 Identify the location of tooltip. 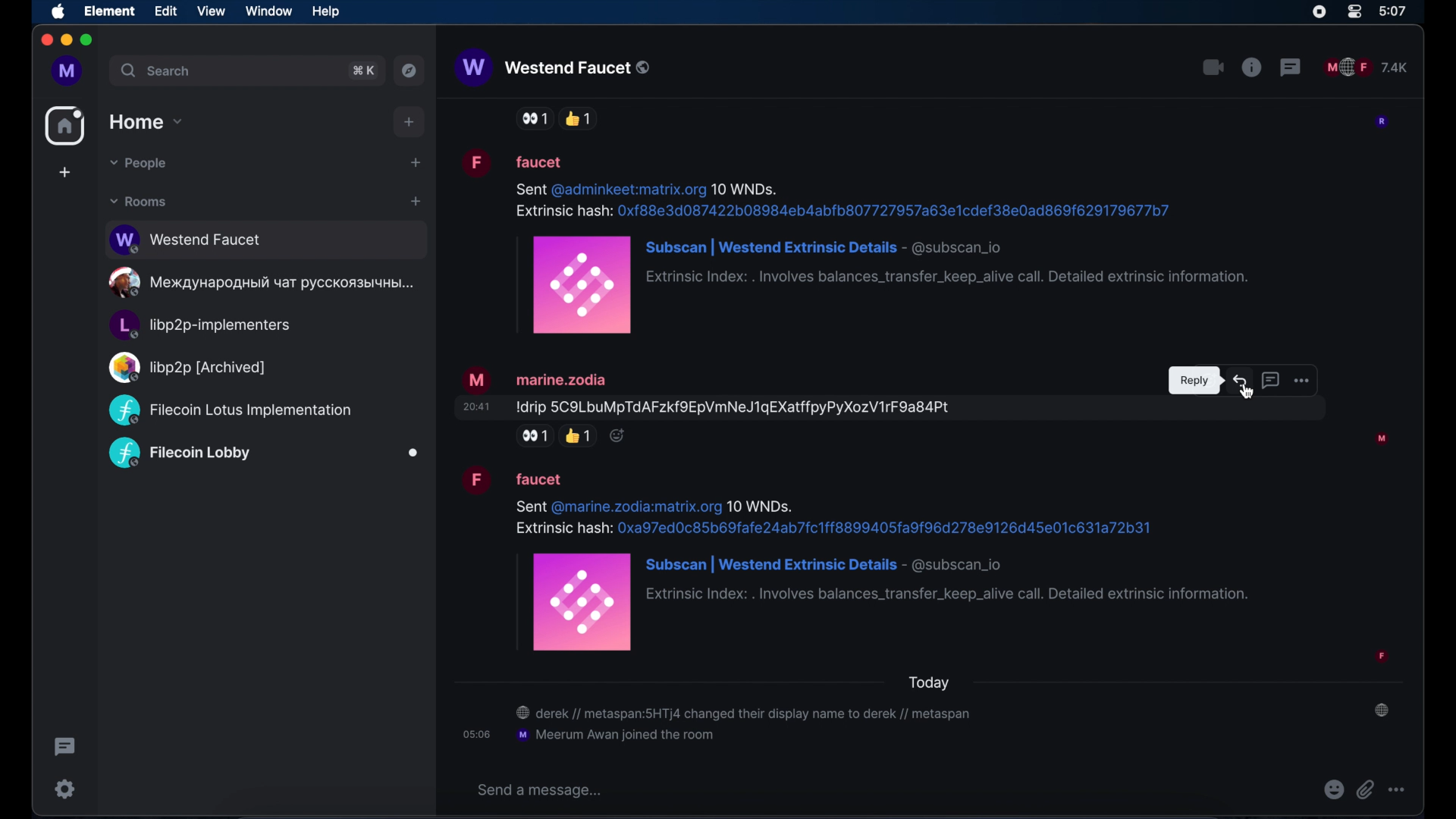
(1194, 381).